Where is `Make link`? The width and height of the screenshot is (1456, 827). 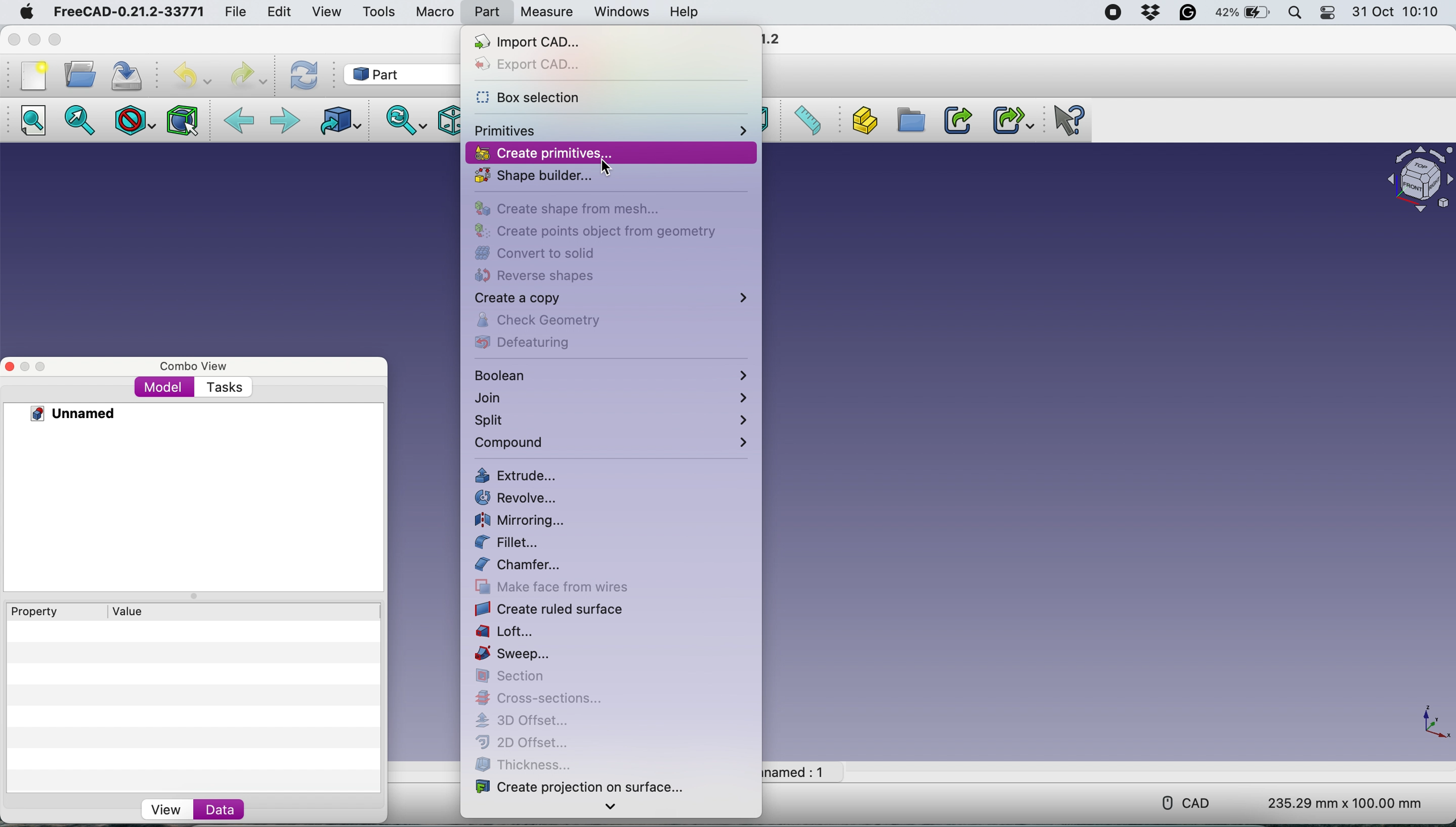 Make link is located at coordinates (956, 119).